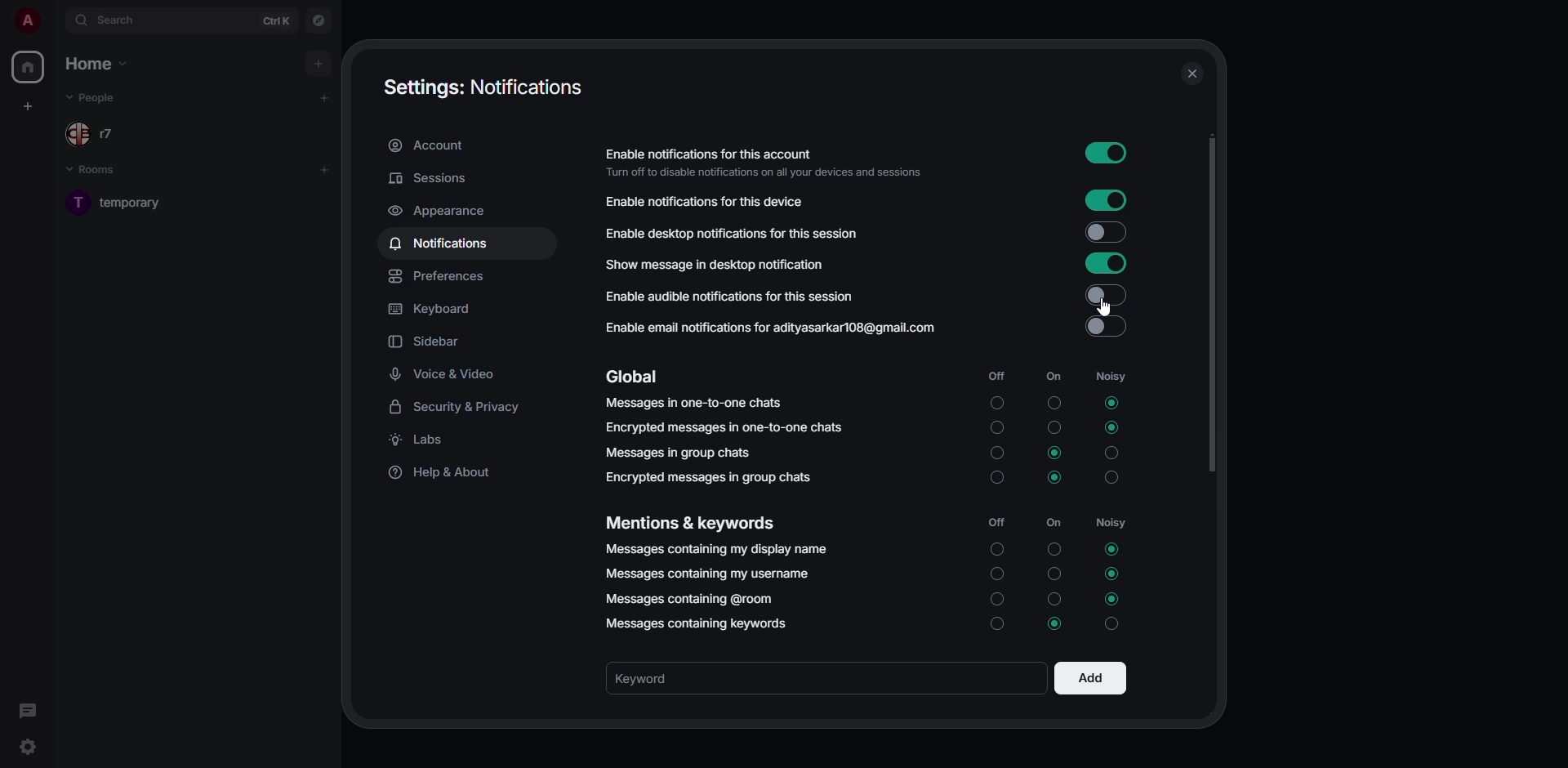  I want to click on ctrl K, so click(276, 21).